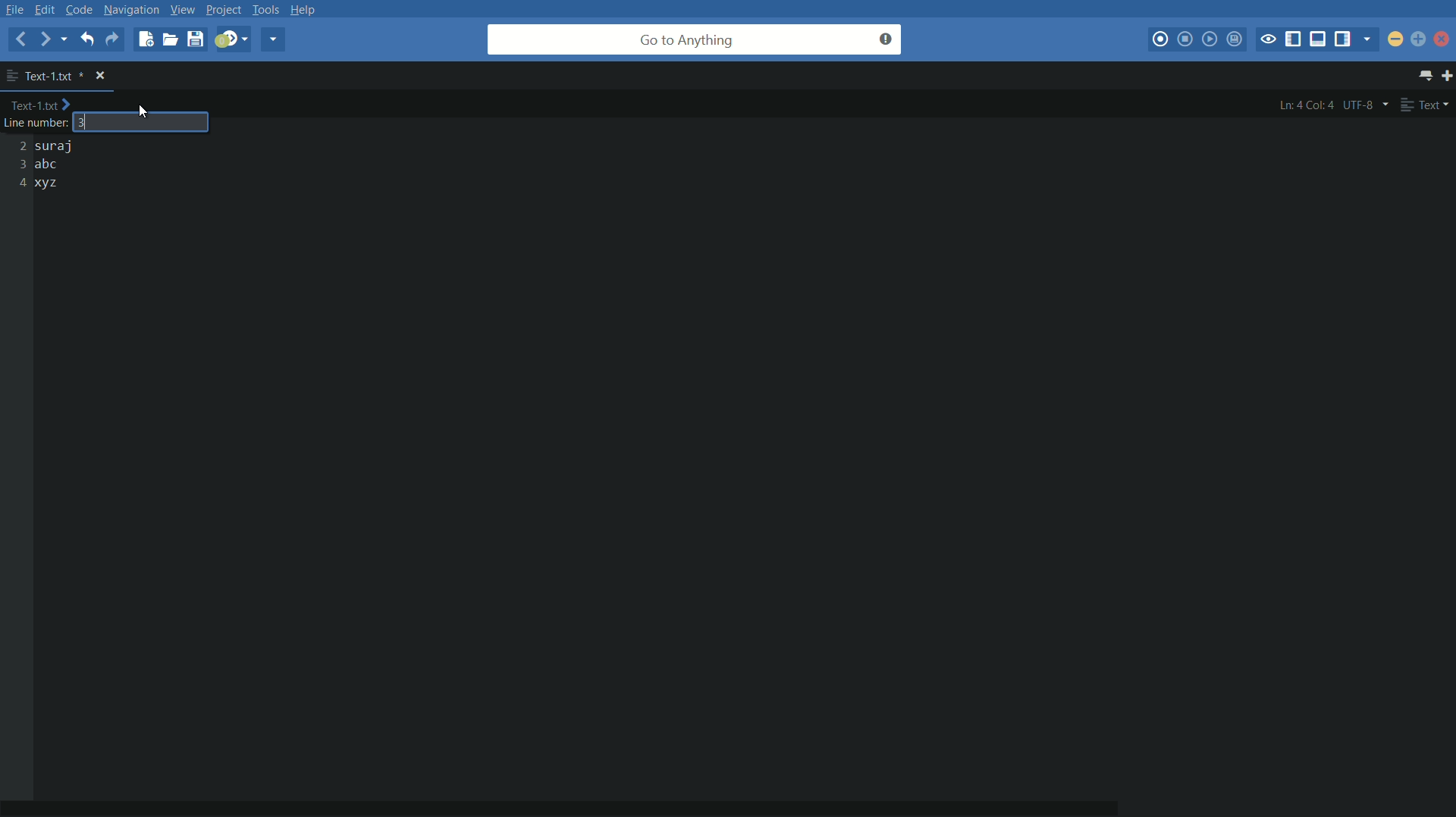 This screenshot has width=1456, height=817. I want to click on show/hide right panel, so click(1345, 39).